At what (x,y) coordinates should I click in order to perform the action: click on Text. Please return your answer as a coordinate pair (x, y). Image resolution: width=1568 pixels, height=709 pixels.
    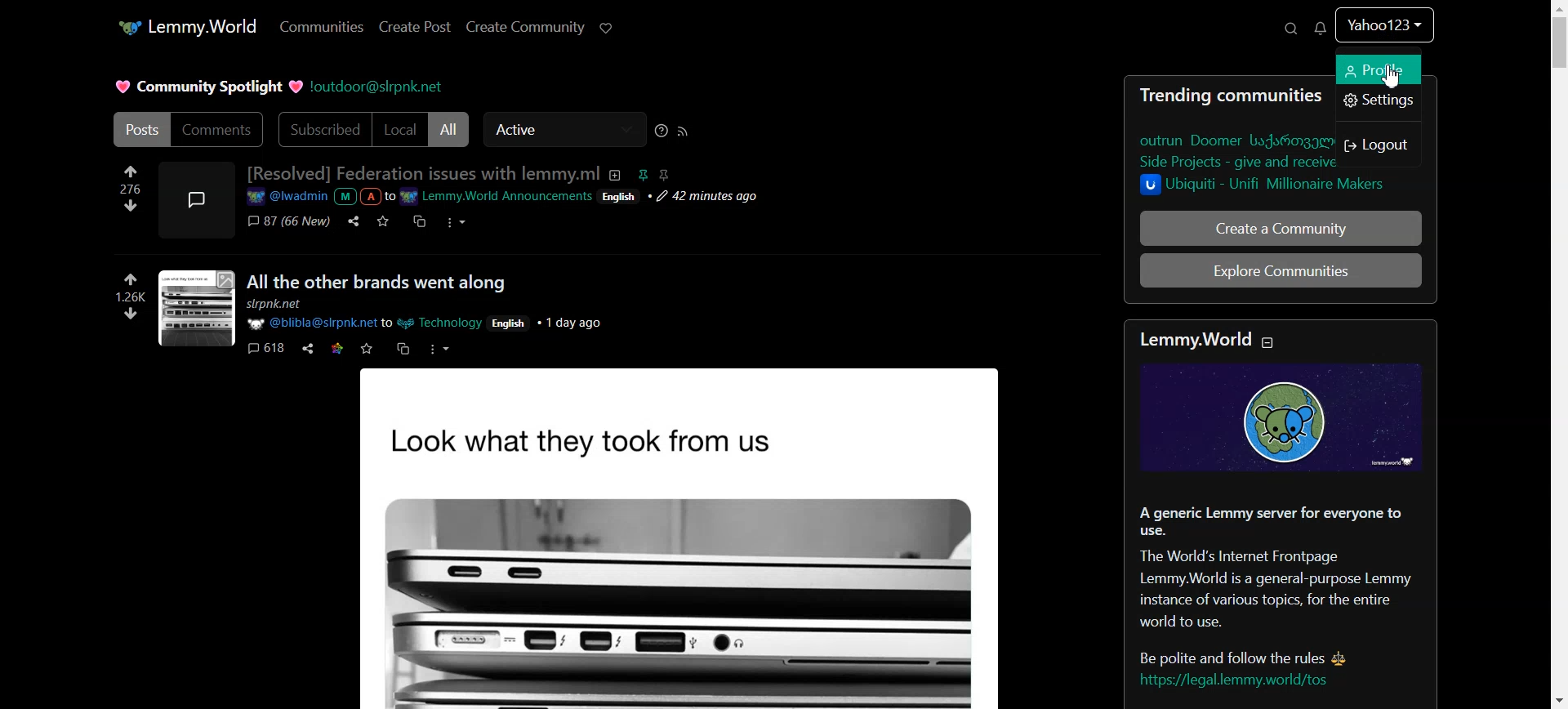
    Looking at the image, I should click on (423, 173).